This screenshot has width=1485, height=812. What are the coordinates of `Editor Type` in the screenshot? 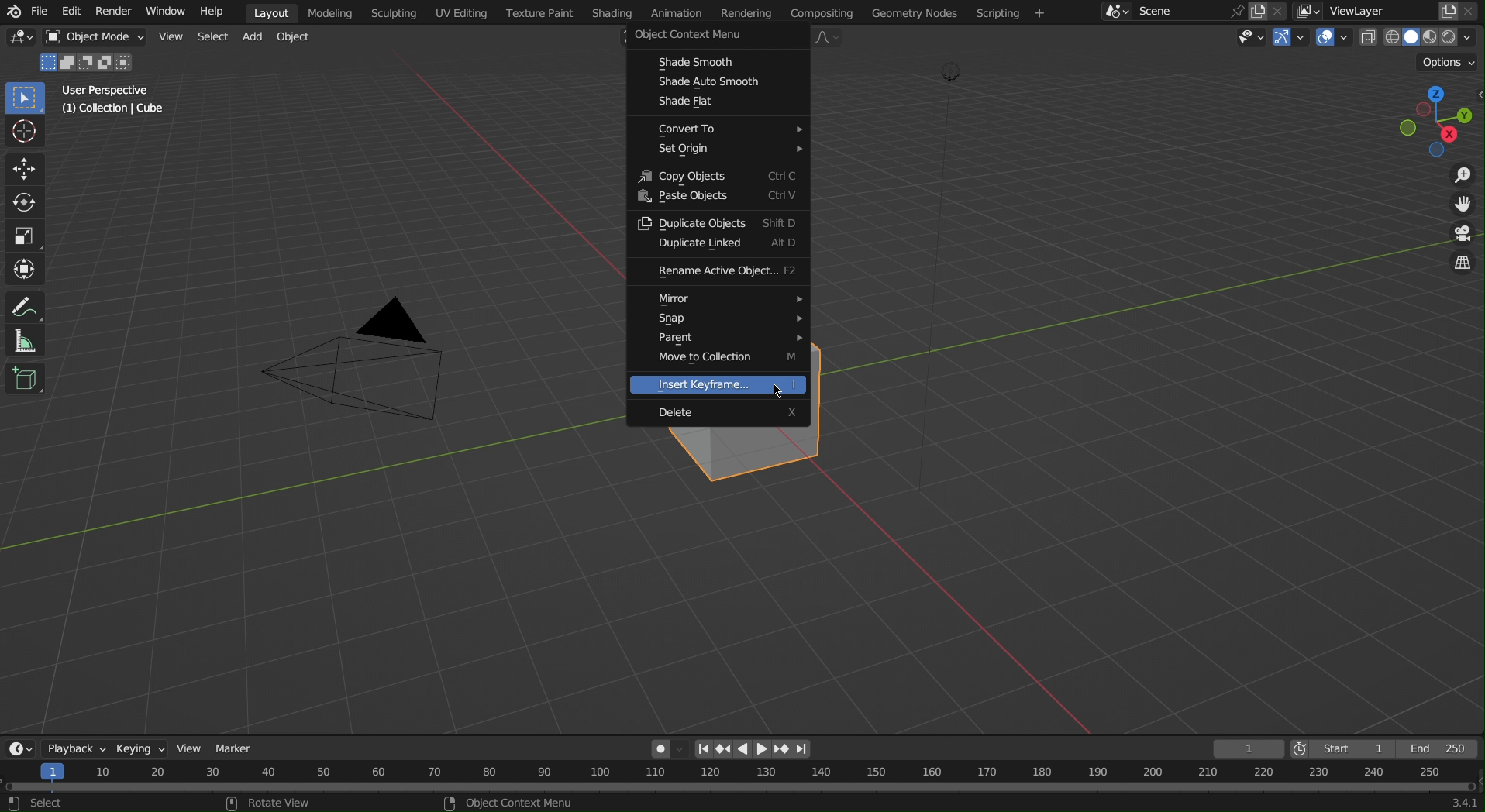 It's located at (20, 749).